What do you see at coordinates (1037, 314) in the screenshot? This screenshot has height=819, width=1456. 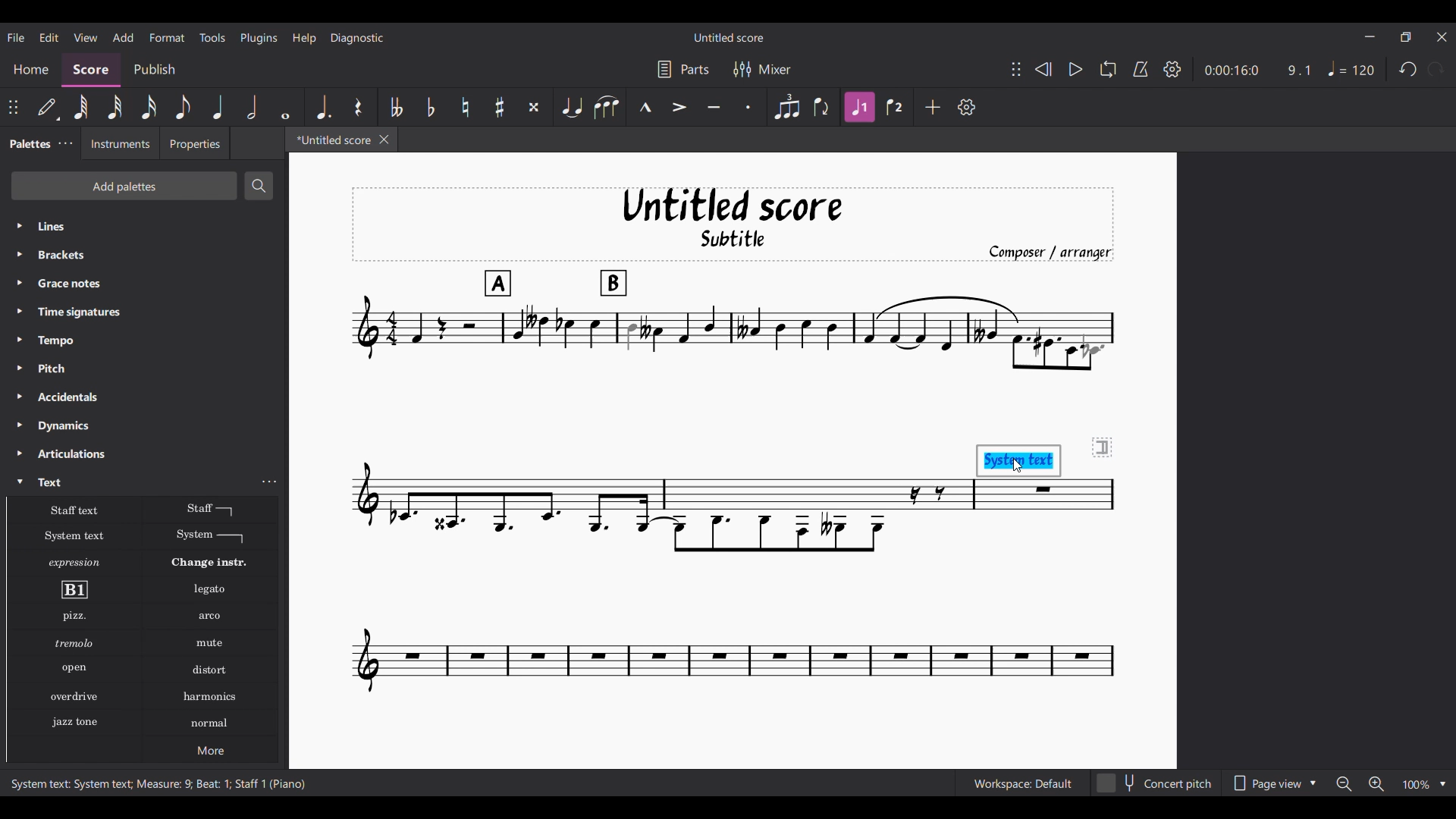 I see `Current score` at bounding box center [1037, 314].